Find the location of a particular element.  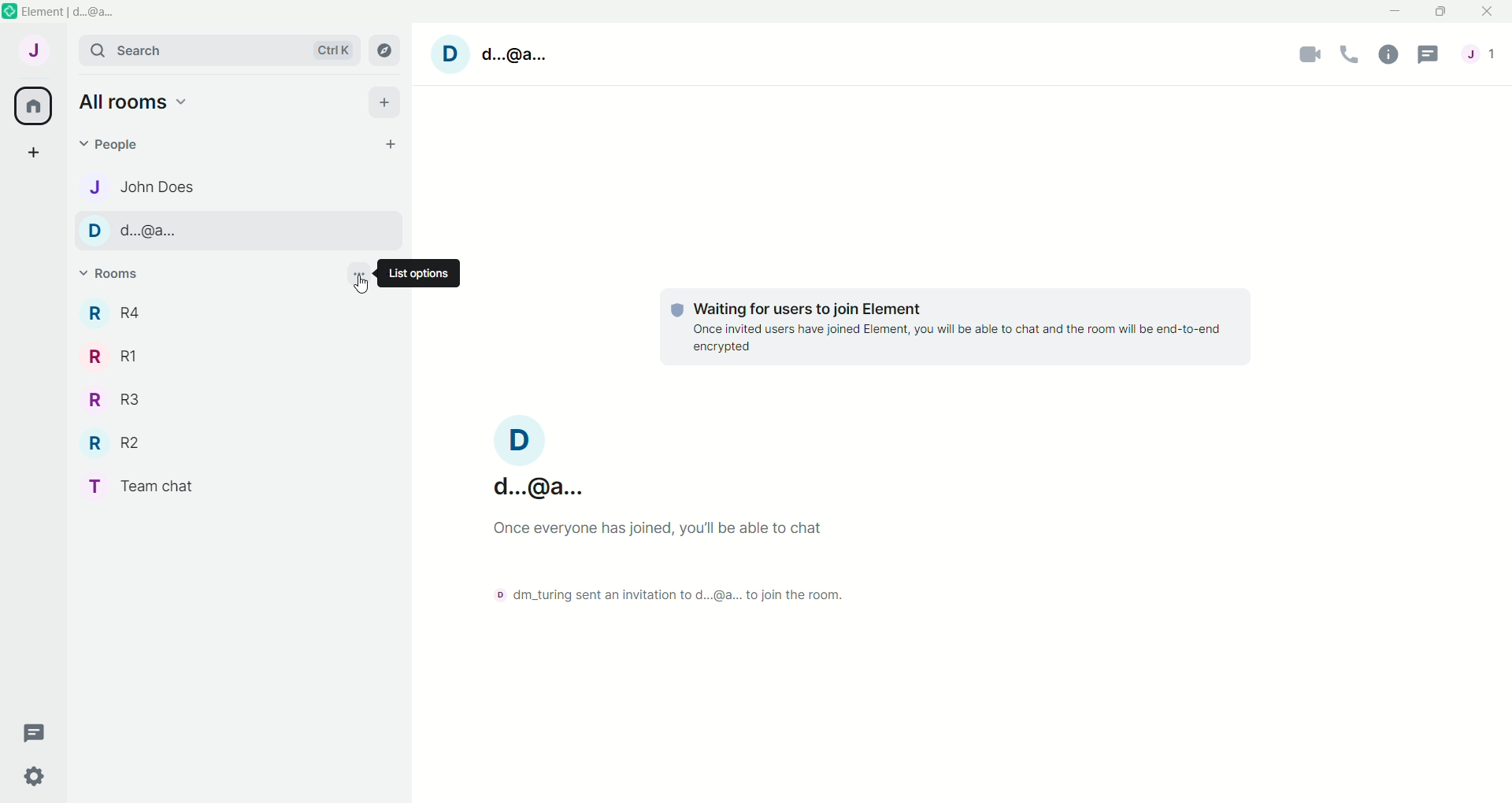

List options is located at coordinates (421, 272).